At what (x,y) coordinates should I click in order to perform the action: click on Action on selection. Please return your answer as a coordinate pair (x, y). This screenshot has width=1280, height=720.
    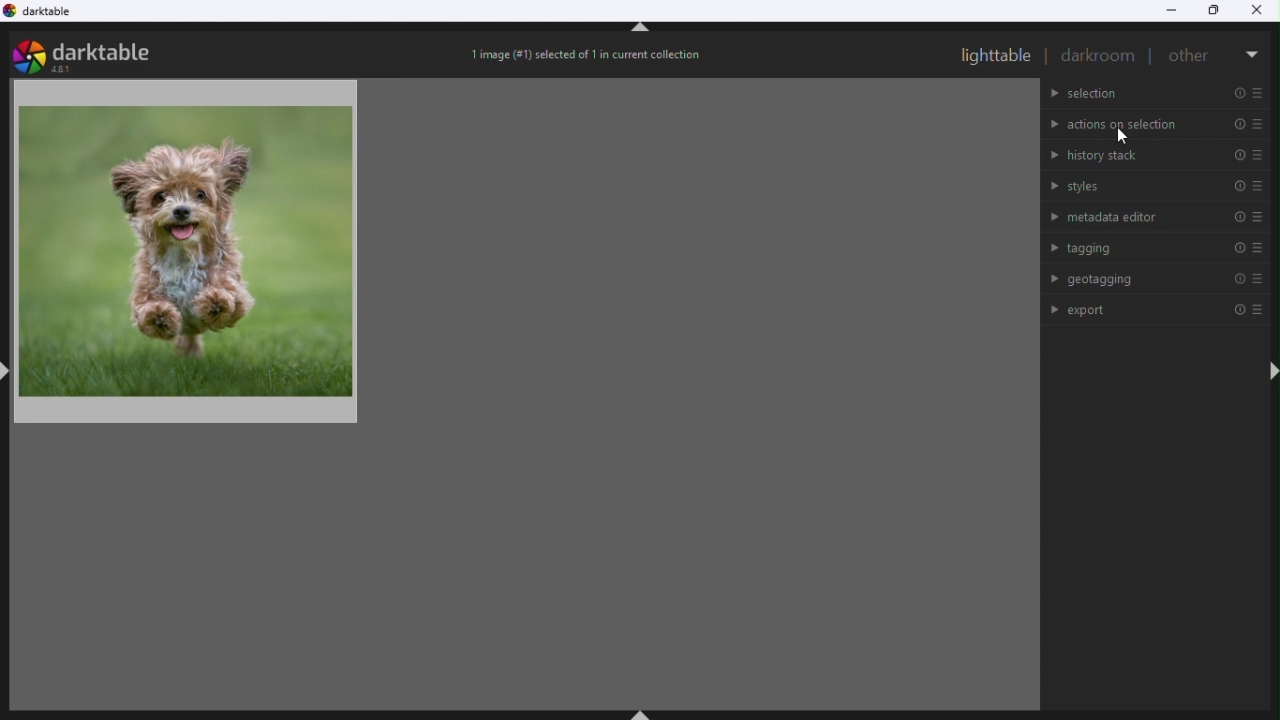
    Looking at the image, I should click on (1155, 125).